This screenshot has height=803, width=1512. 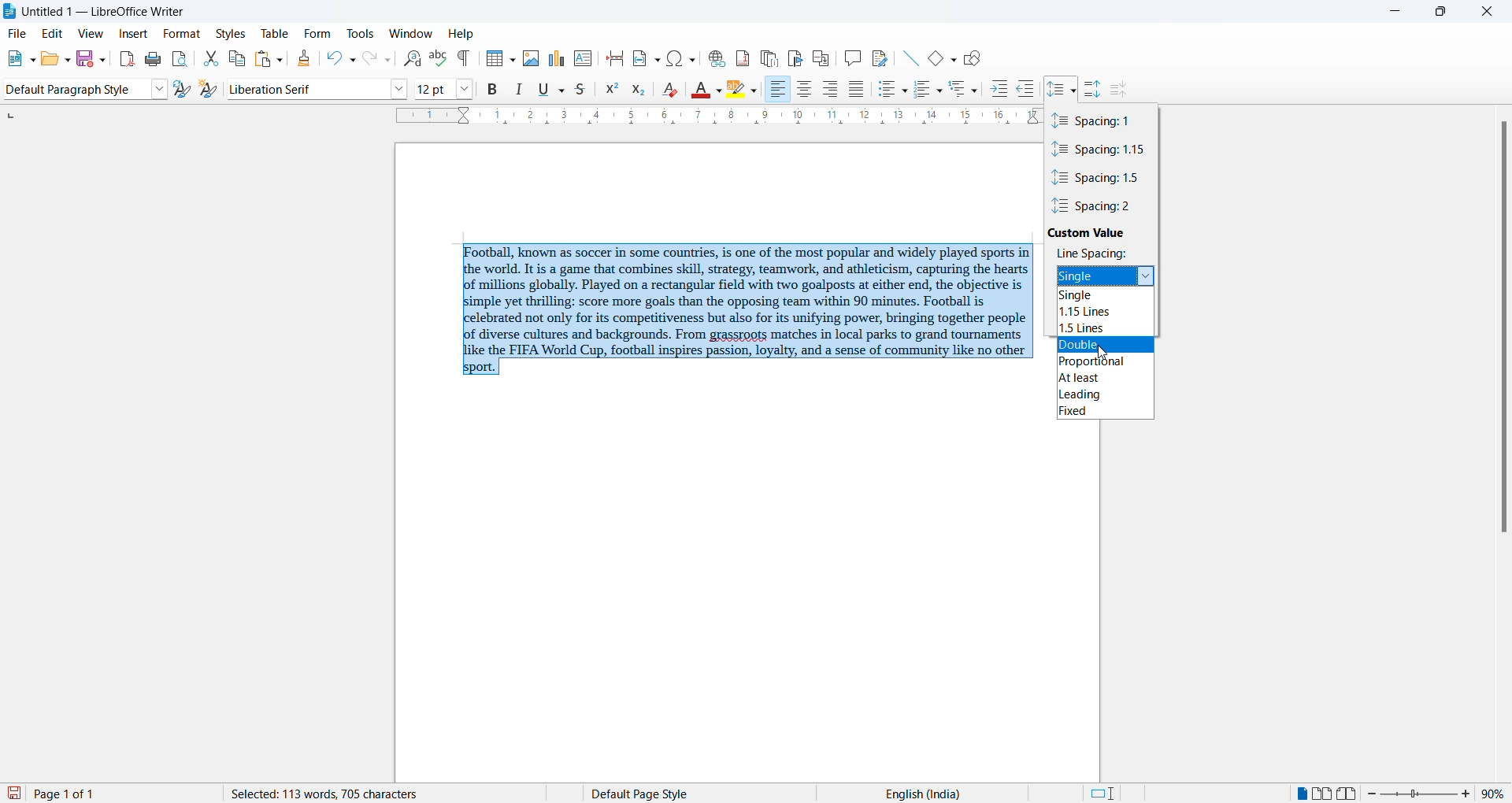 I want to click on spellings, so click(x=440, y=57).